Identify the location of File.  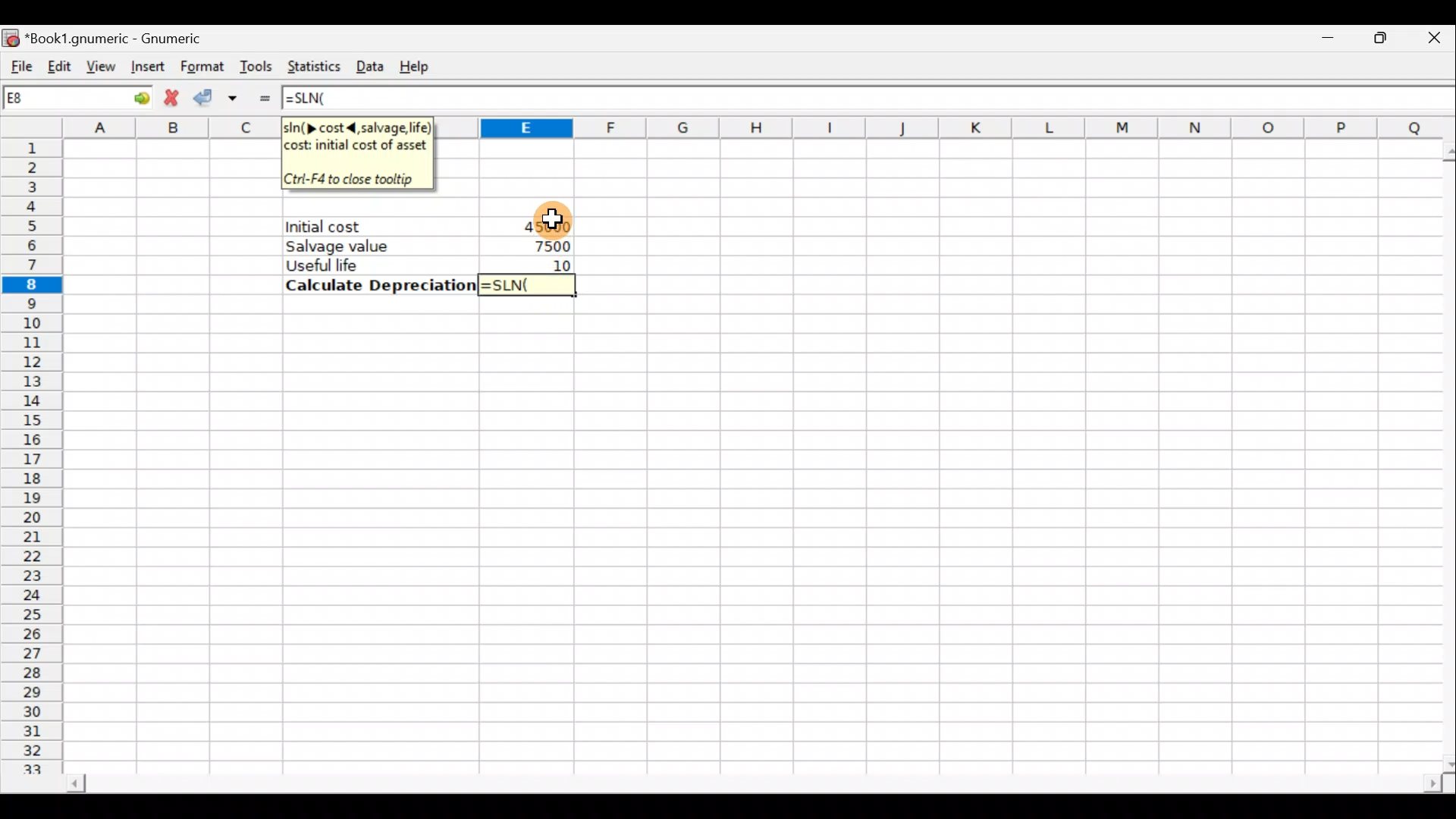
(23, 61).